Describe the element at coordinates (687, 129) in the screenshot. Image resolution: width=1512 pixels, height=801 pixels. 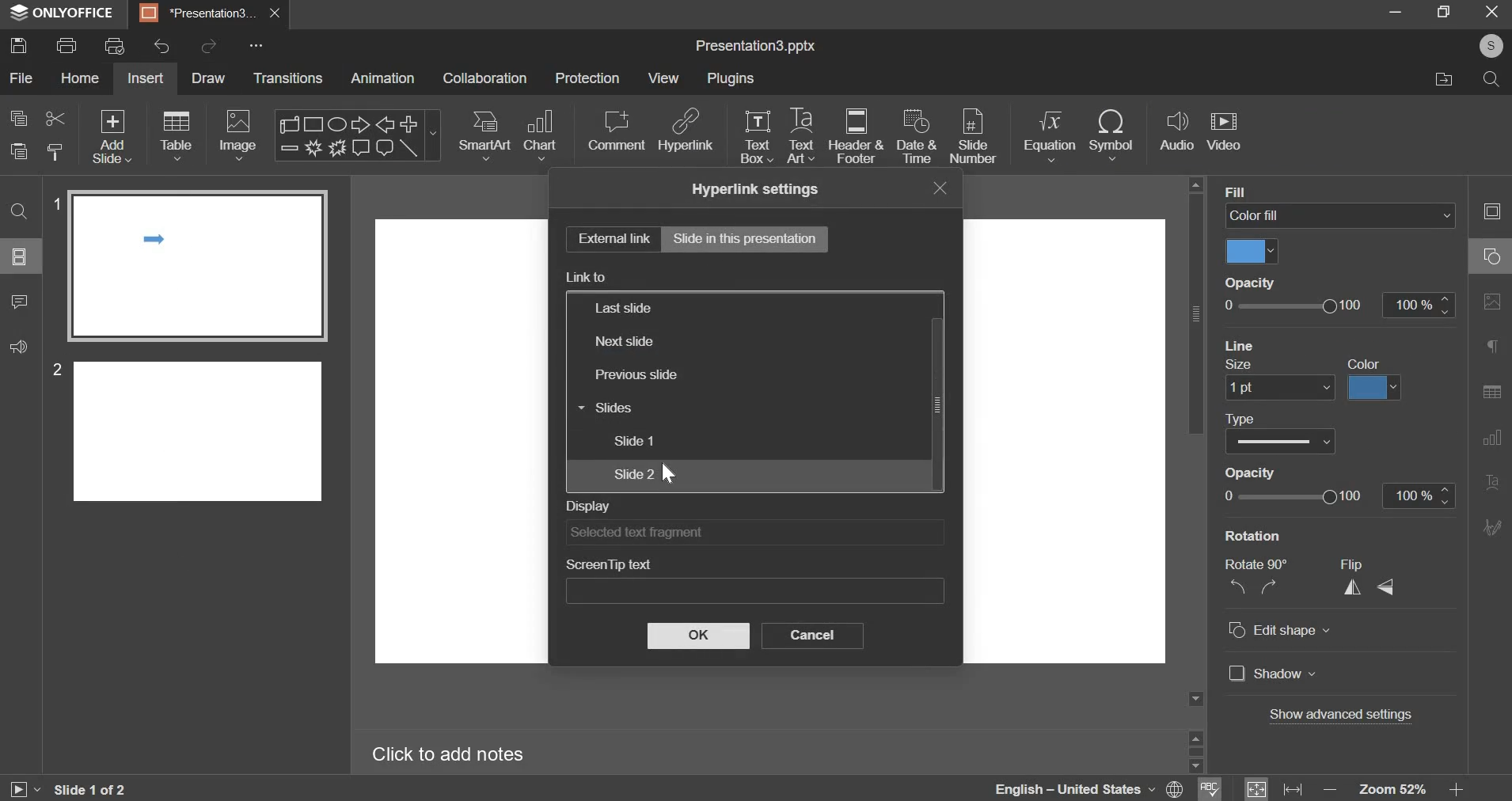
I see `hyperlink` at that location.